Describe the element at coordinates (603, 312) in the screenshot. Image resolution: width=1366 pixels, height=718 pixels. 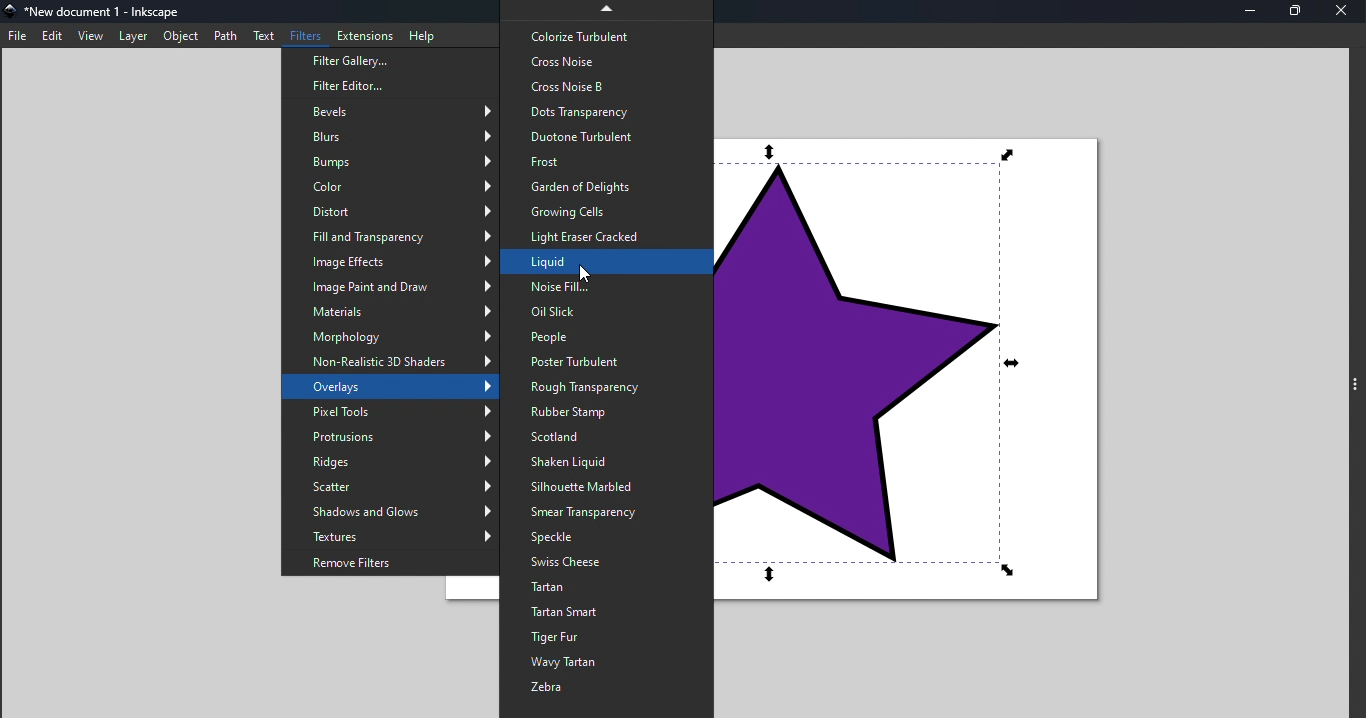
I see `Oil sick` at that location.